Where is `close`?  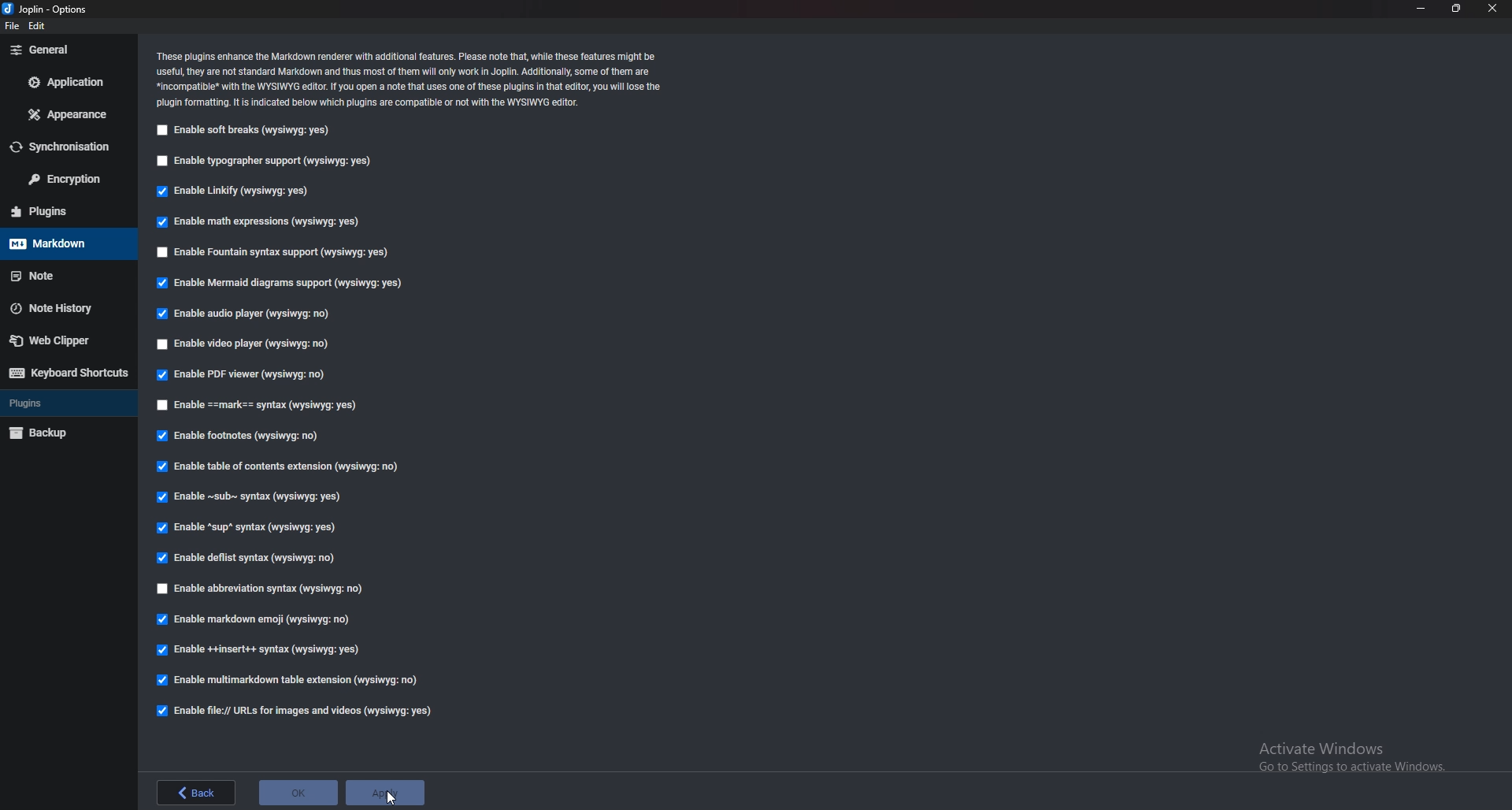 close is located at coordinates (1493, 9).